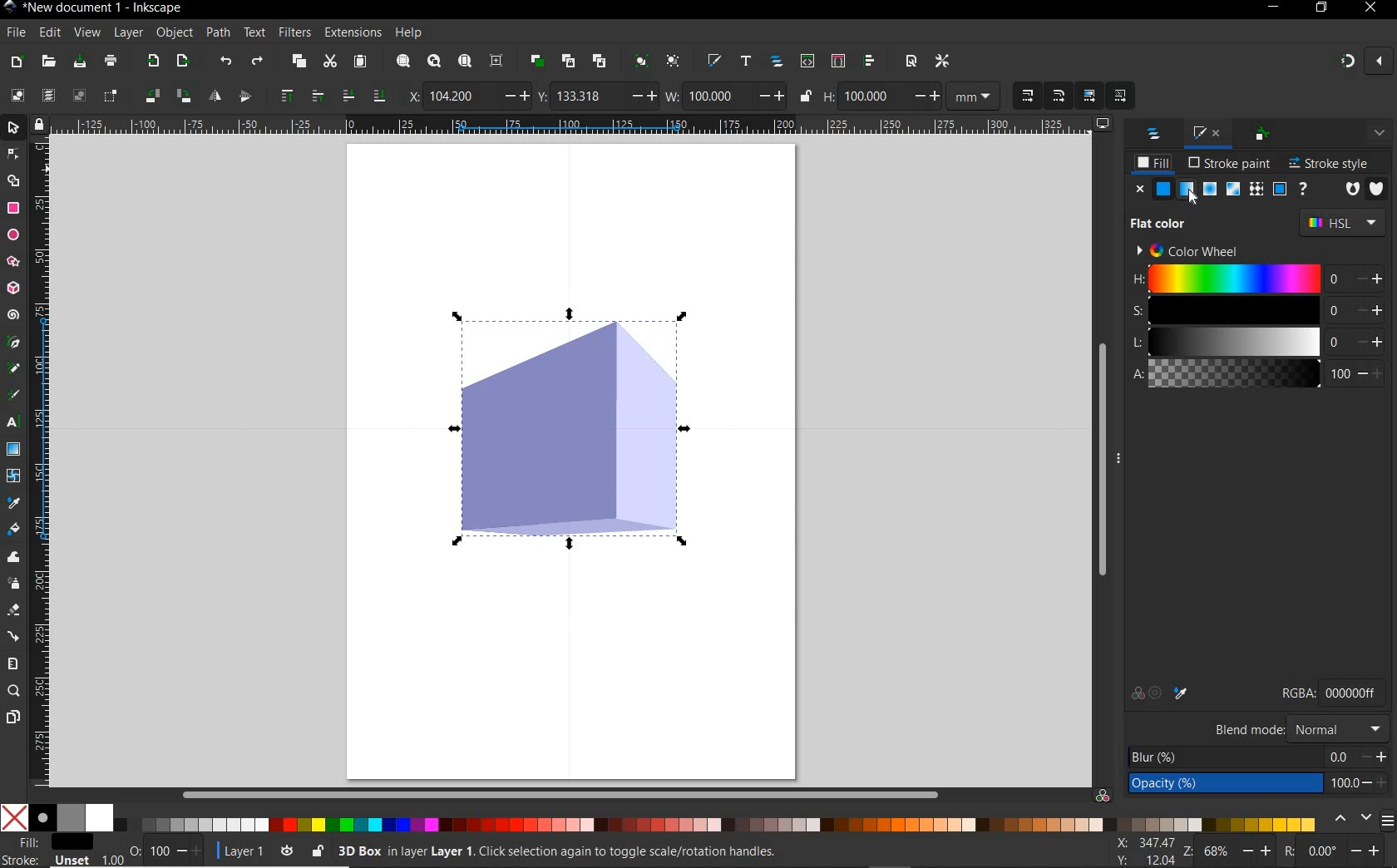  What do you see at coordinates (1195, 131) in the screenshot?
I see `FILL AND STROKE` at bounding box center [1195, 131].